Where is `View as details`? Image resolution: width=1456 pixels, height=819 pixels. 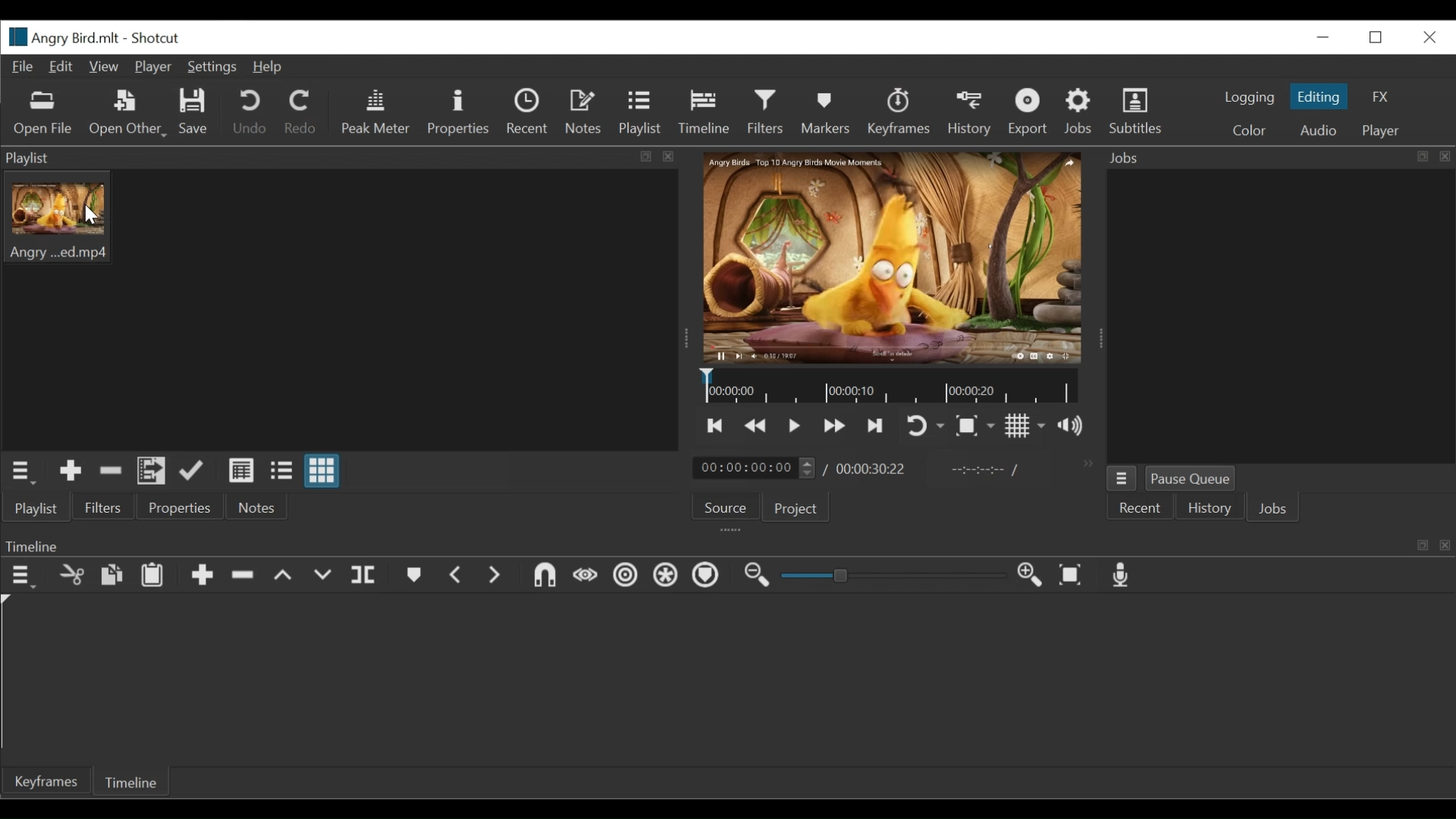
View as details is located at coordinates (242, 470).